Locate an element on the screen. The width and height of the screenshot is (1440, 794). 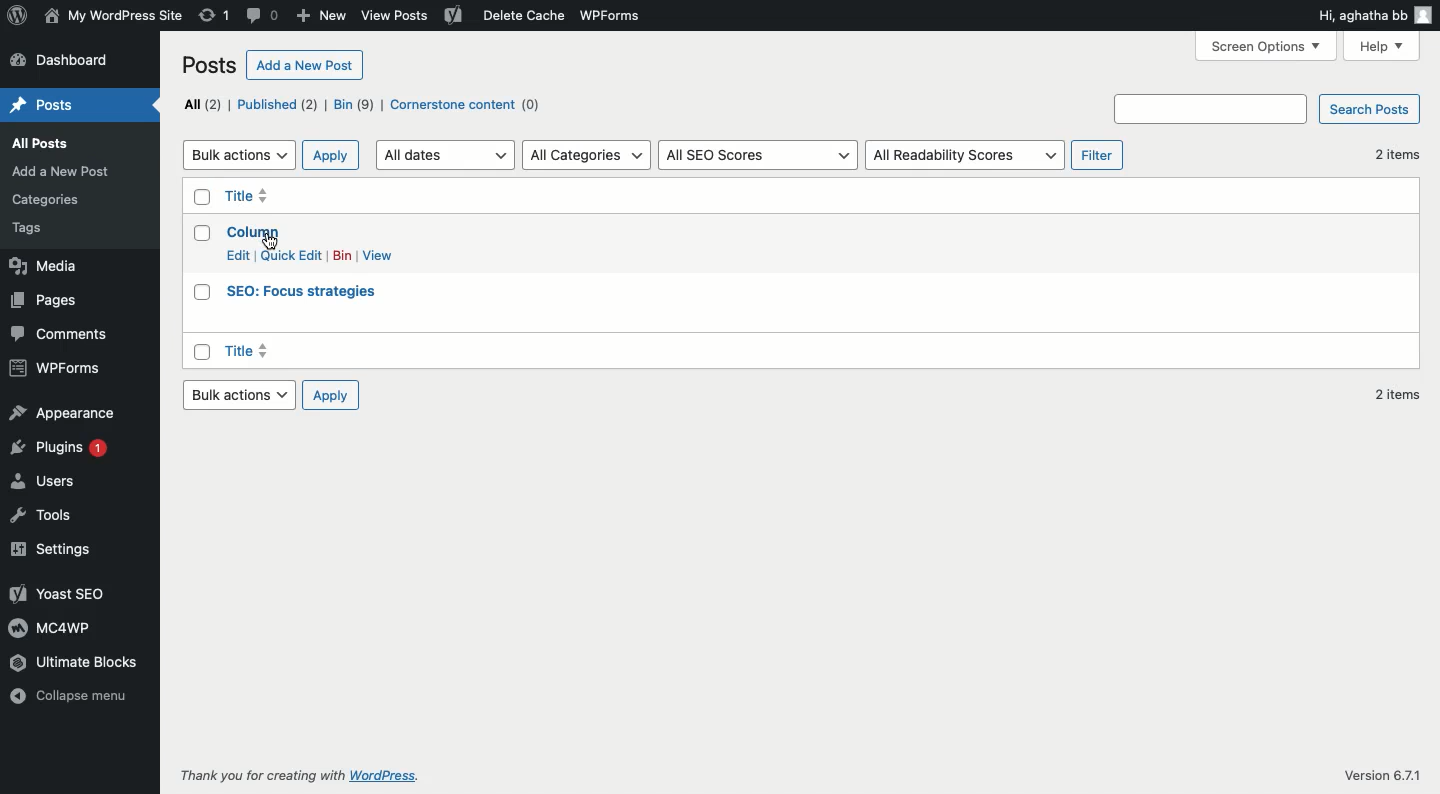
checkbox is located at coordinates (200, 234).